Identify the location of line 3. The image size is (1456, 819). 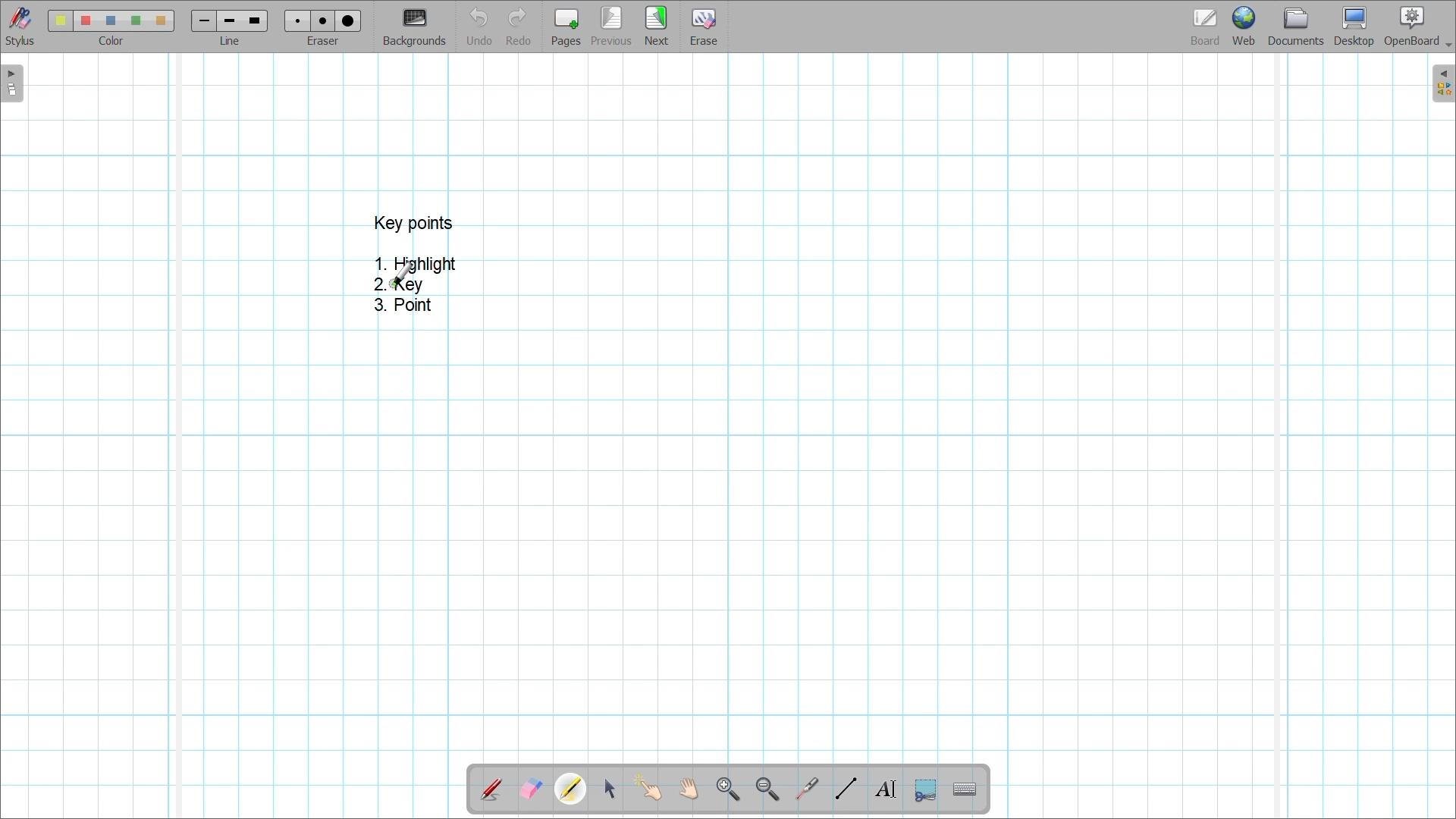
(253, 20).